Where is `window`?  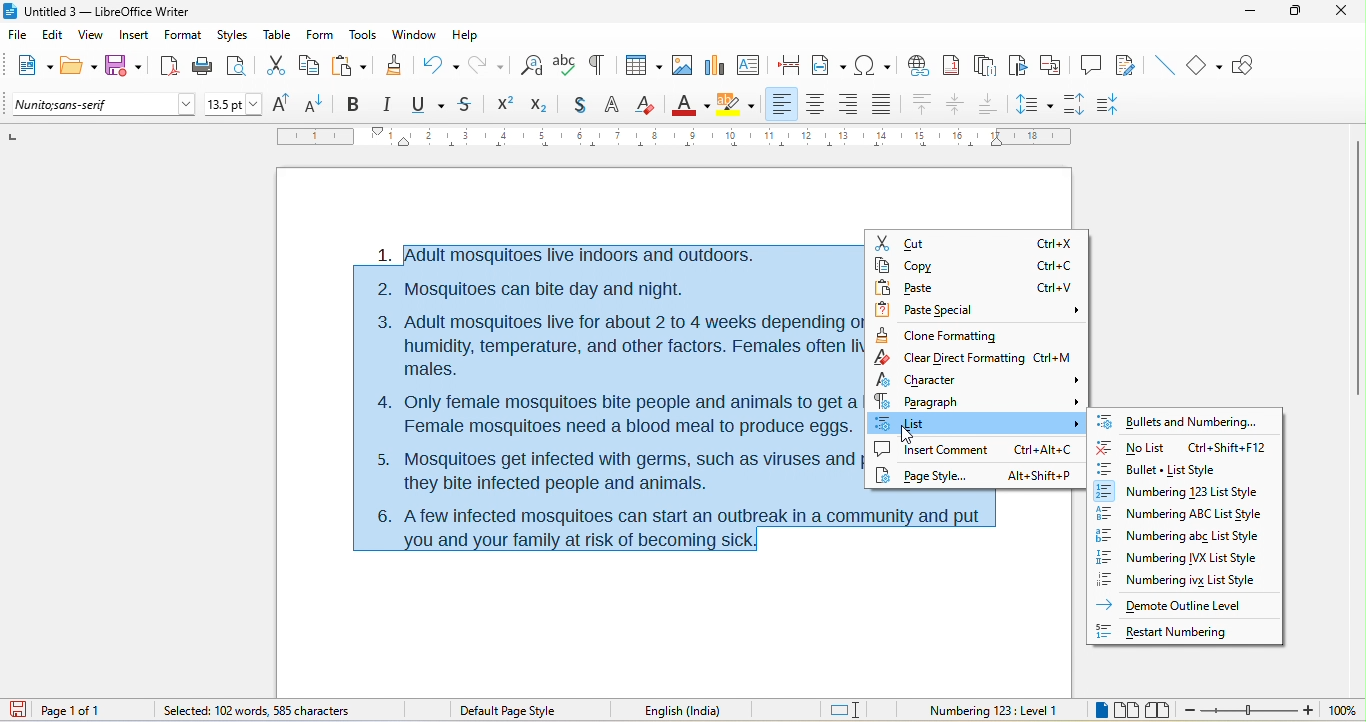 window is located at coordinates (413, 37).